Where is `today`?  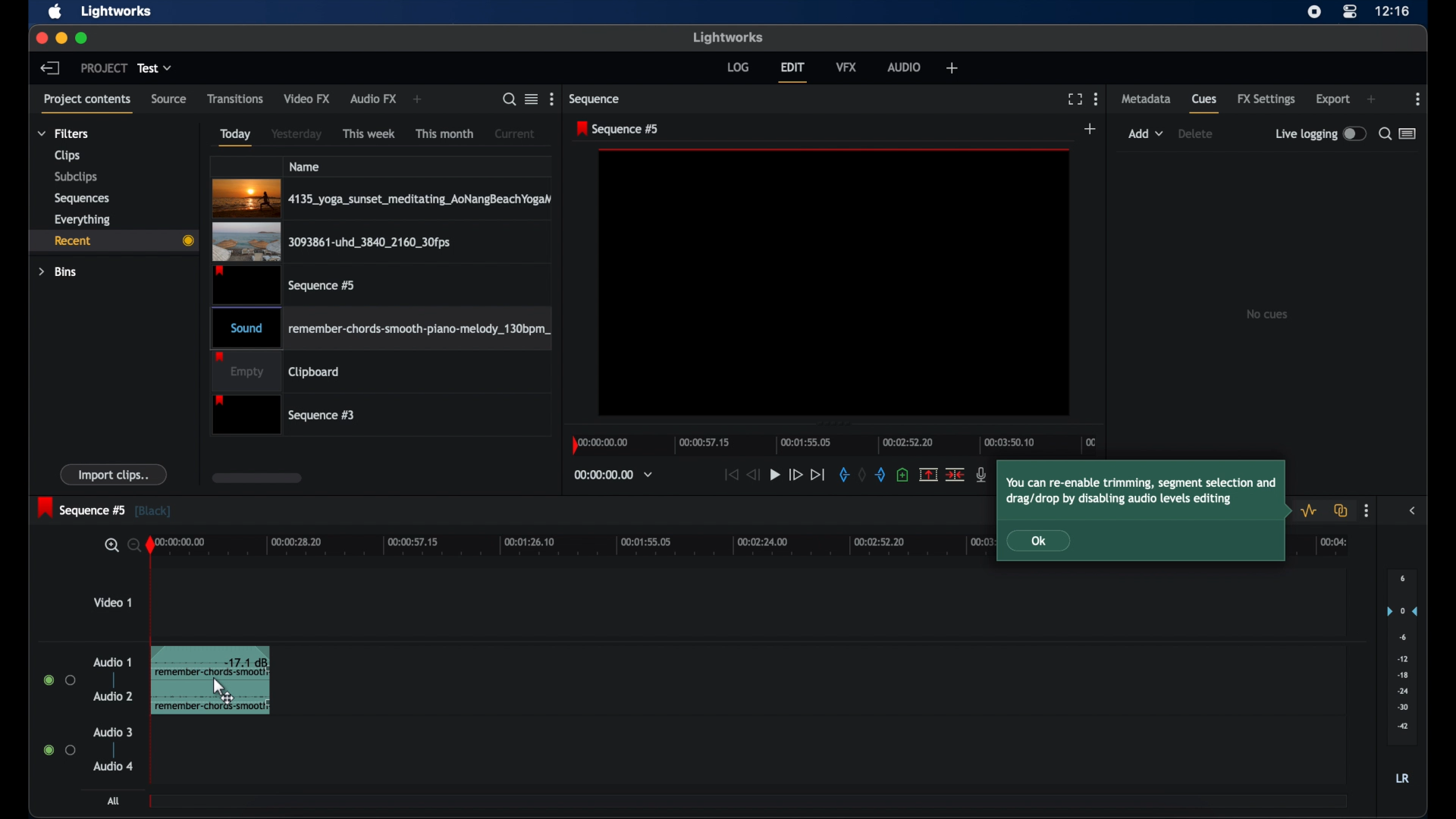
today is located at coordinates (234, 136).